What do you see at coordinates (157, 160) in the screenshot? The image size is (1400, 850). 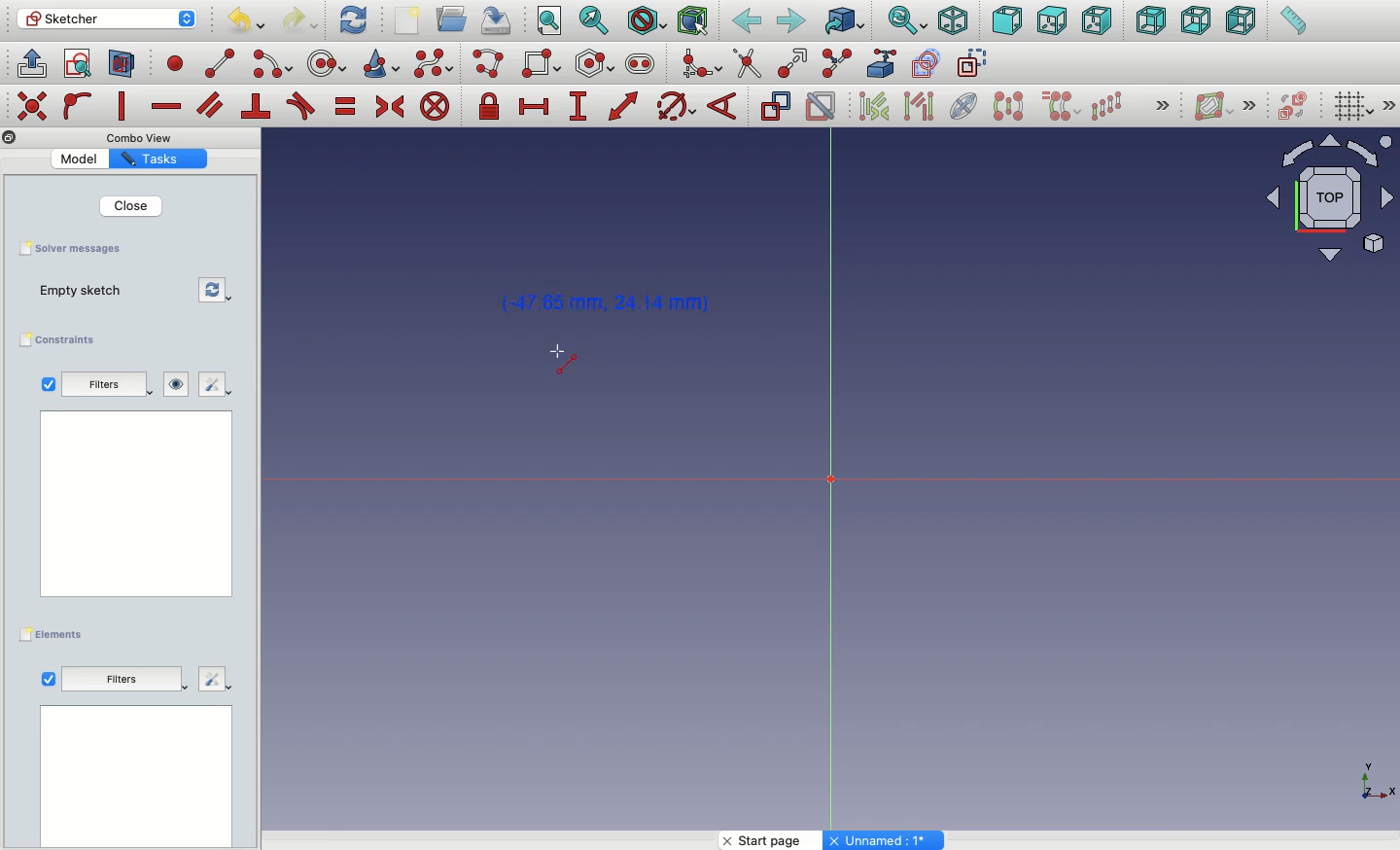 I see `Property ` at bounding box center [157, 160].